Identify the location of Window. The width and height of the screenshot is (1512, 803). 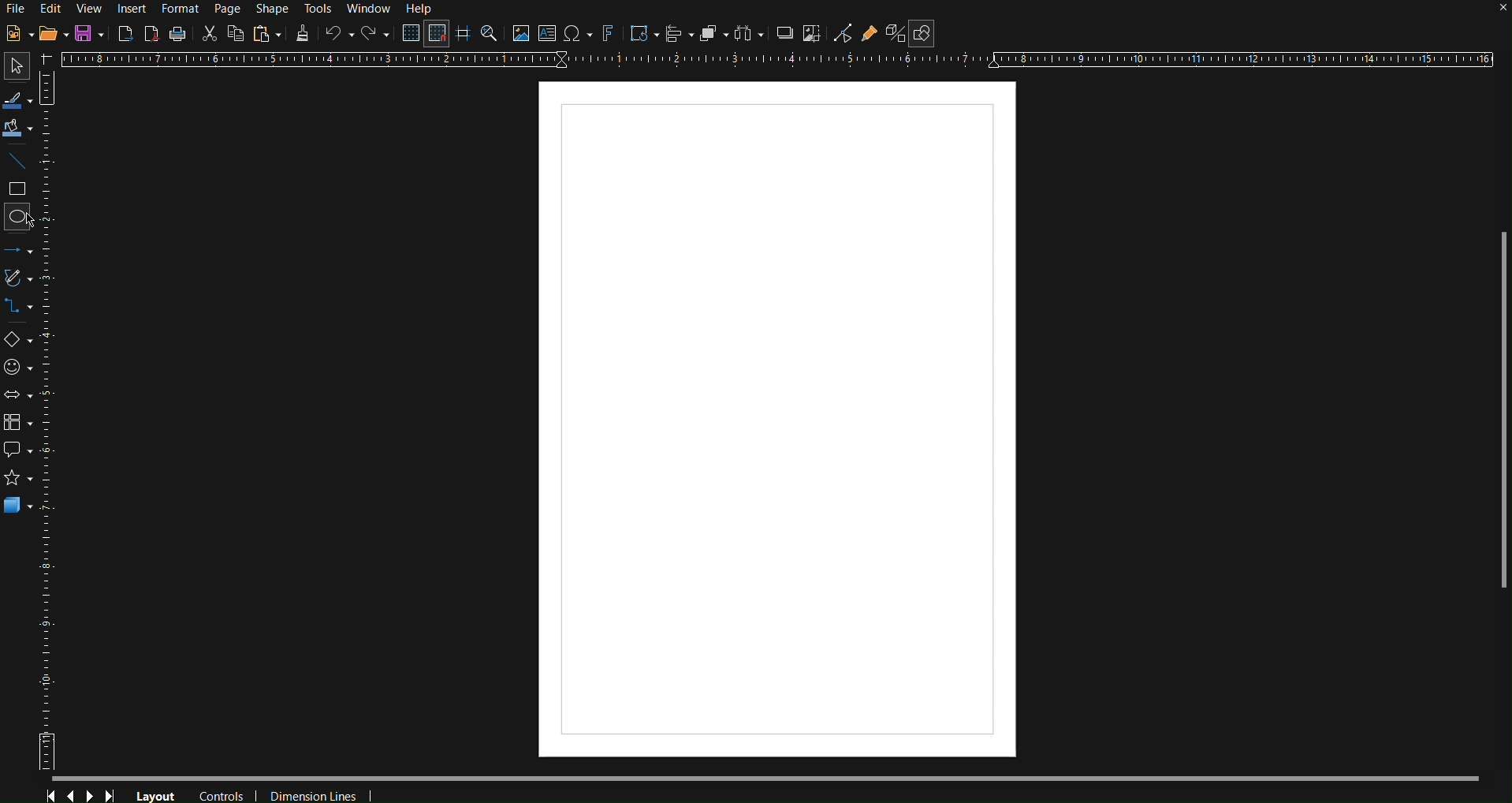
(372, 10).